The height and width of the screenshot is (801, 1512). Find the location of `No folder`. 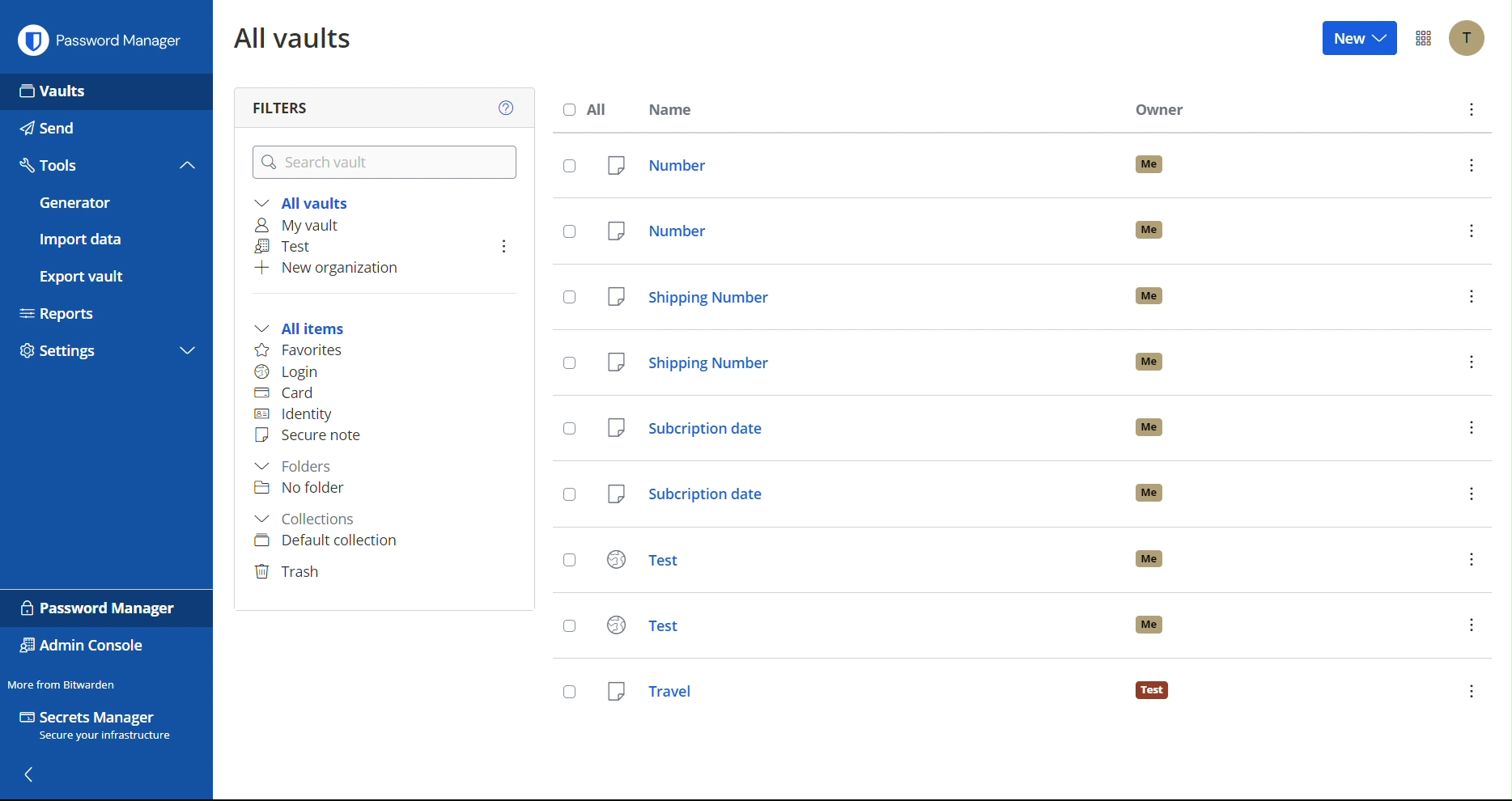

No folder is located at coordinates (300, 491).